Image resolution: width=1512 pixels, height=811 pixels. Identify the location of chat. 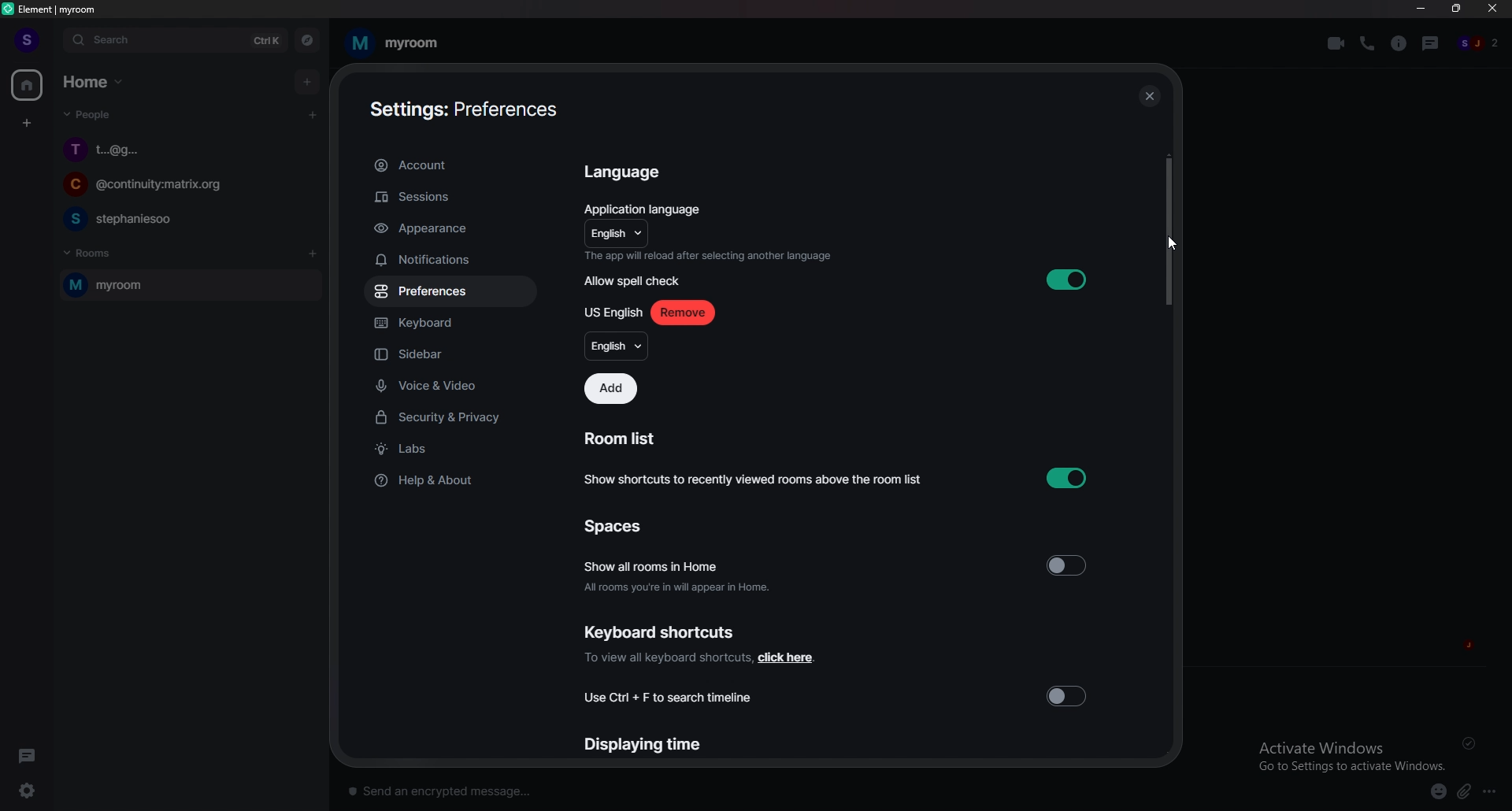
(186, 218).